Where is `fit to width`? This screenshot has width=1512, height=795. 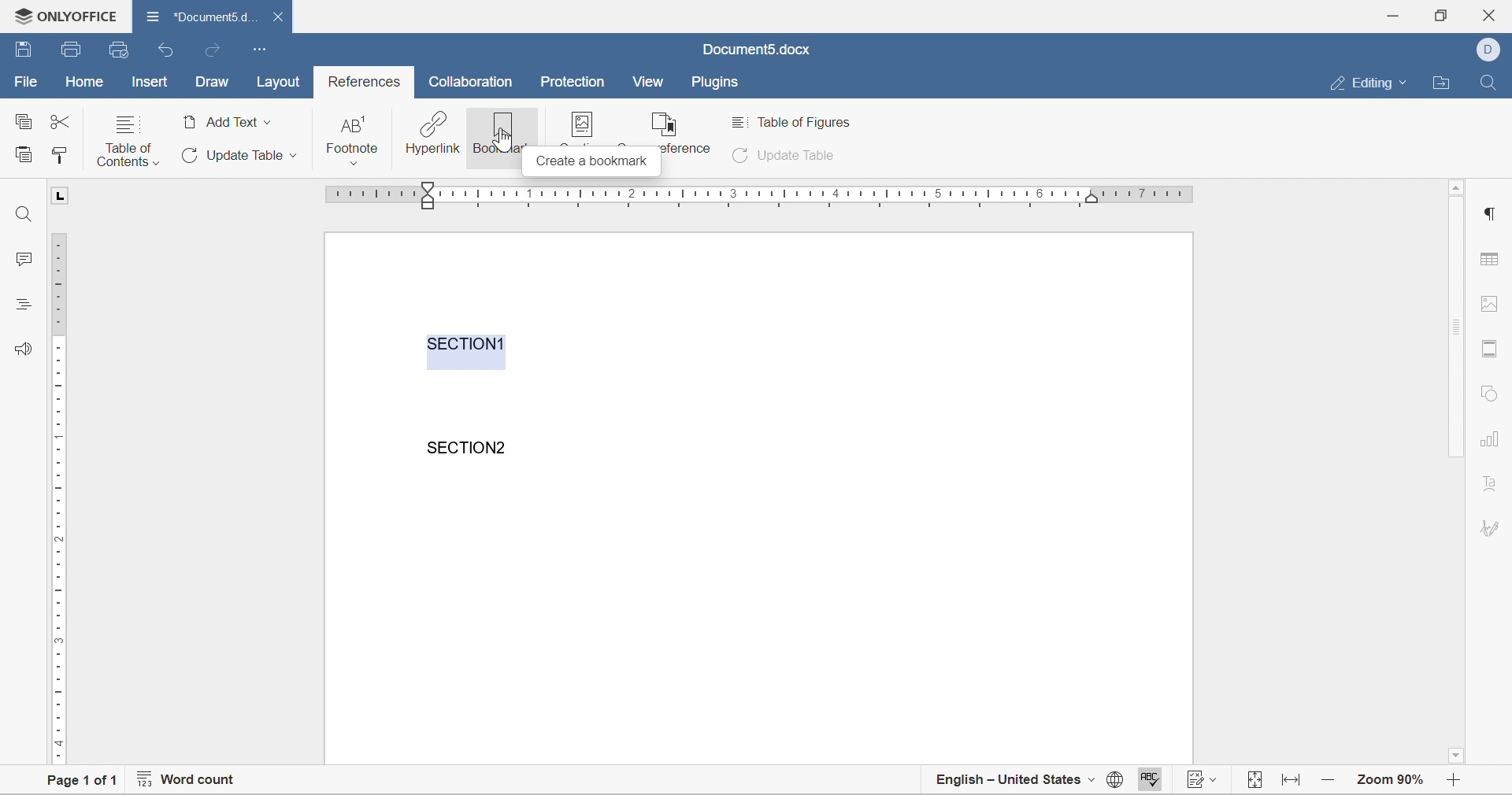
fit to width is located at coordinates (1293, 785).